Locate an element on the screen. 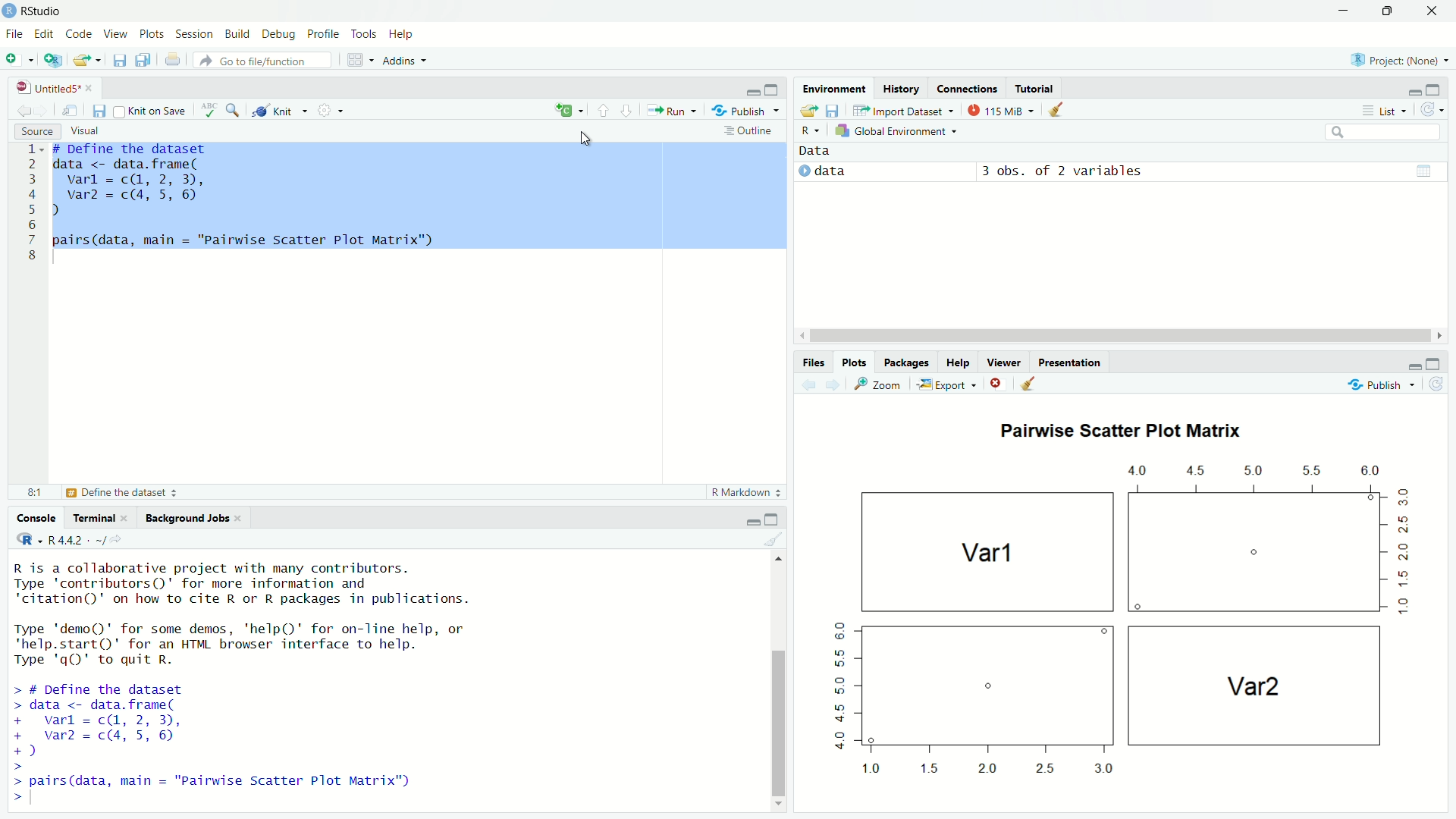  Minimize is located at coordinates (1415, 93).